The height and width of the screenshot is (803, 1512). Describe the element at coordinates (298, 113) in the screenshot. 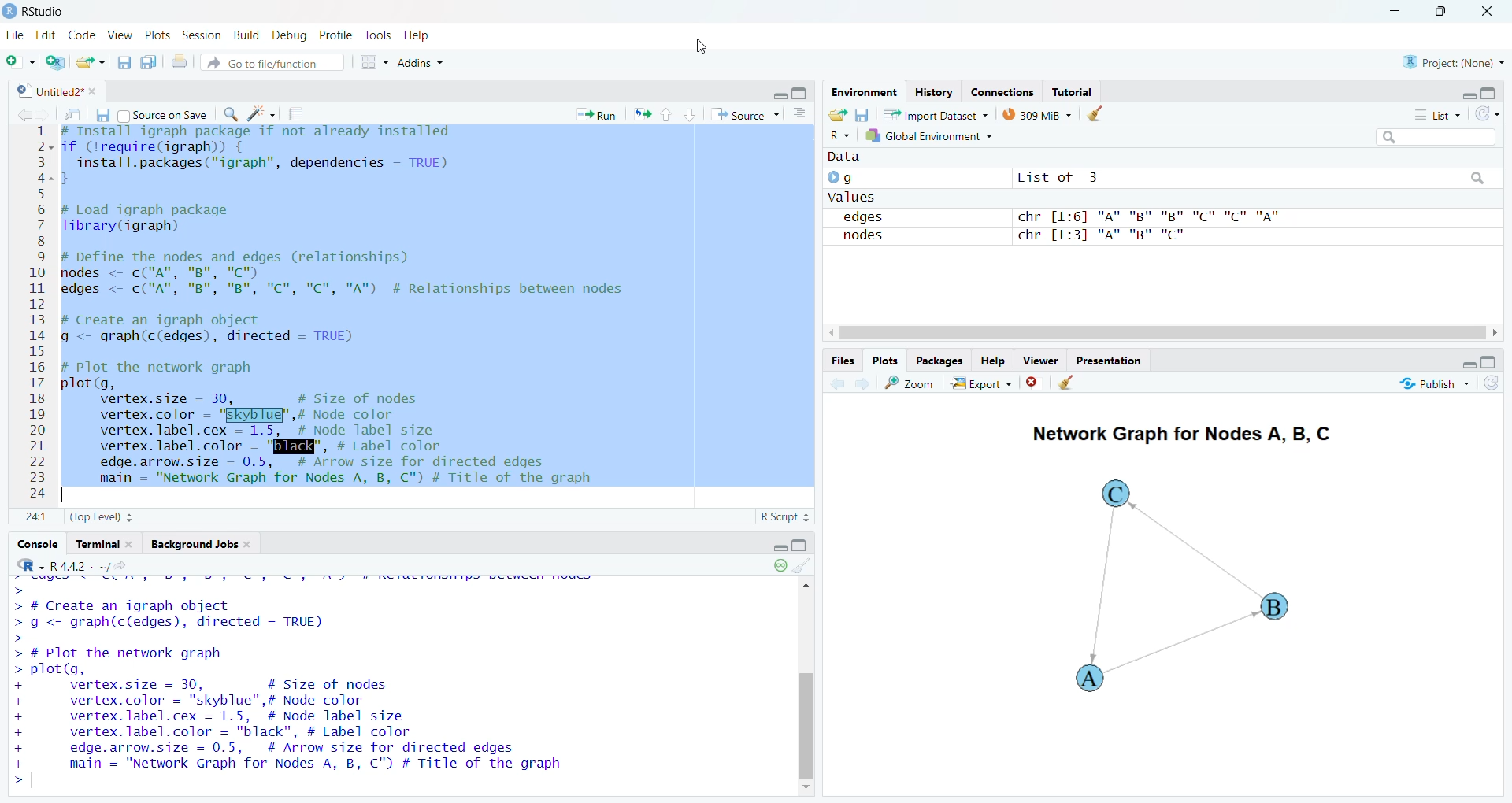

I see `notes` at that location.